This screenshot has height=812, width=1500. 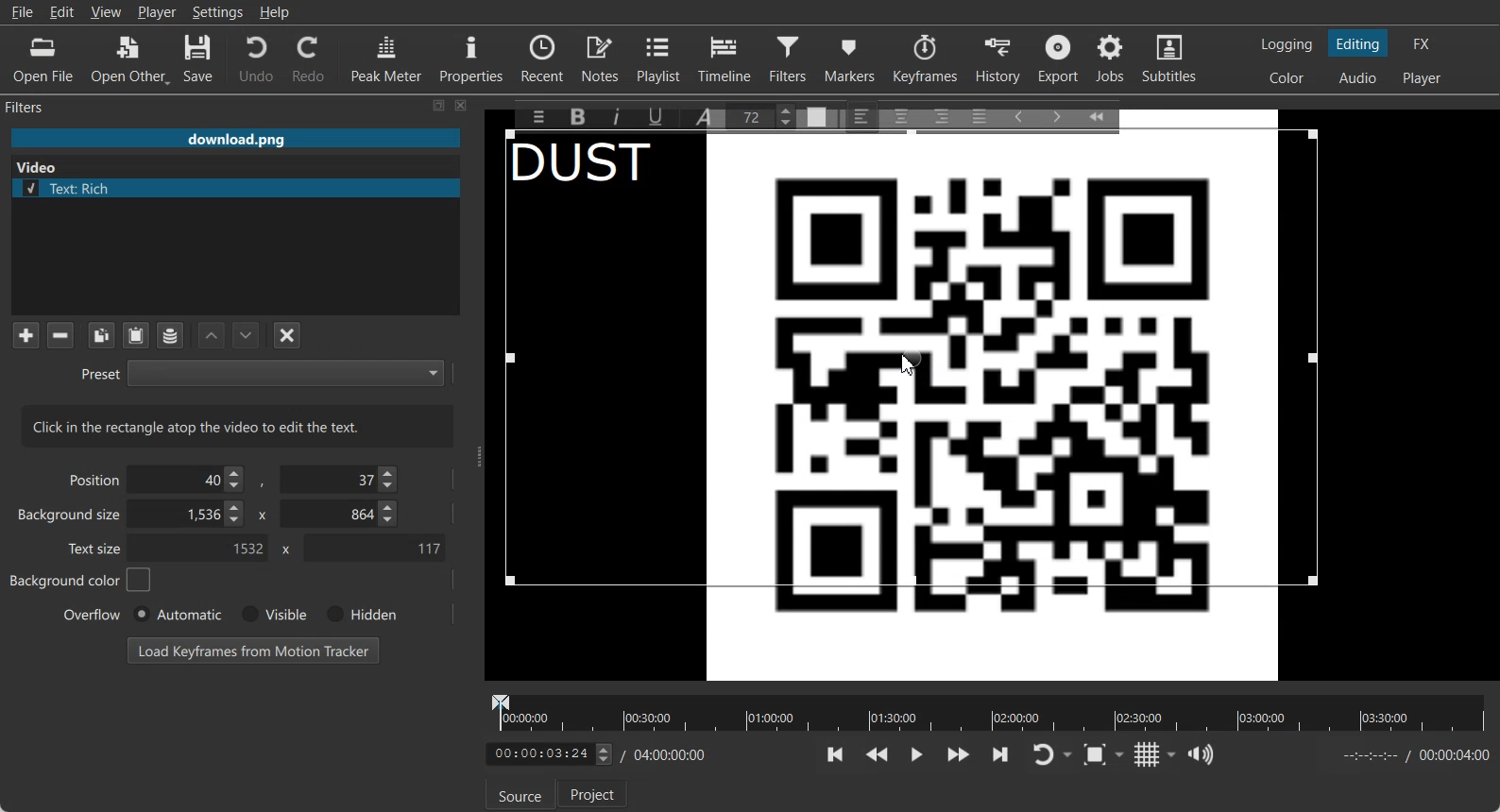 What do you see at coordinates (1097, 755) in the screenshot?
I see `Toggle Zoom` at bounding box center [1097, 755].